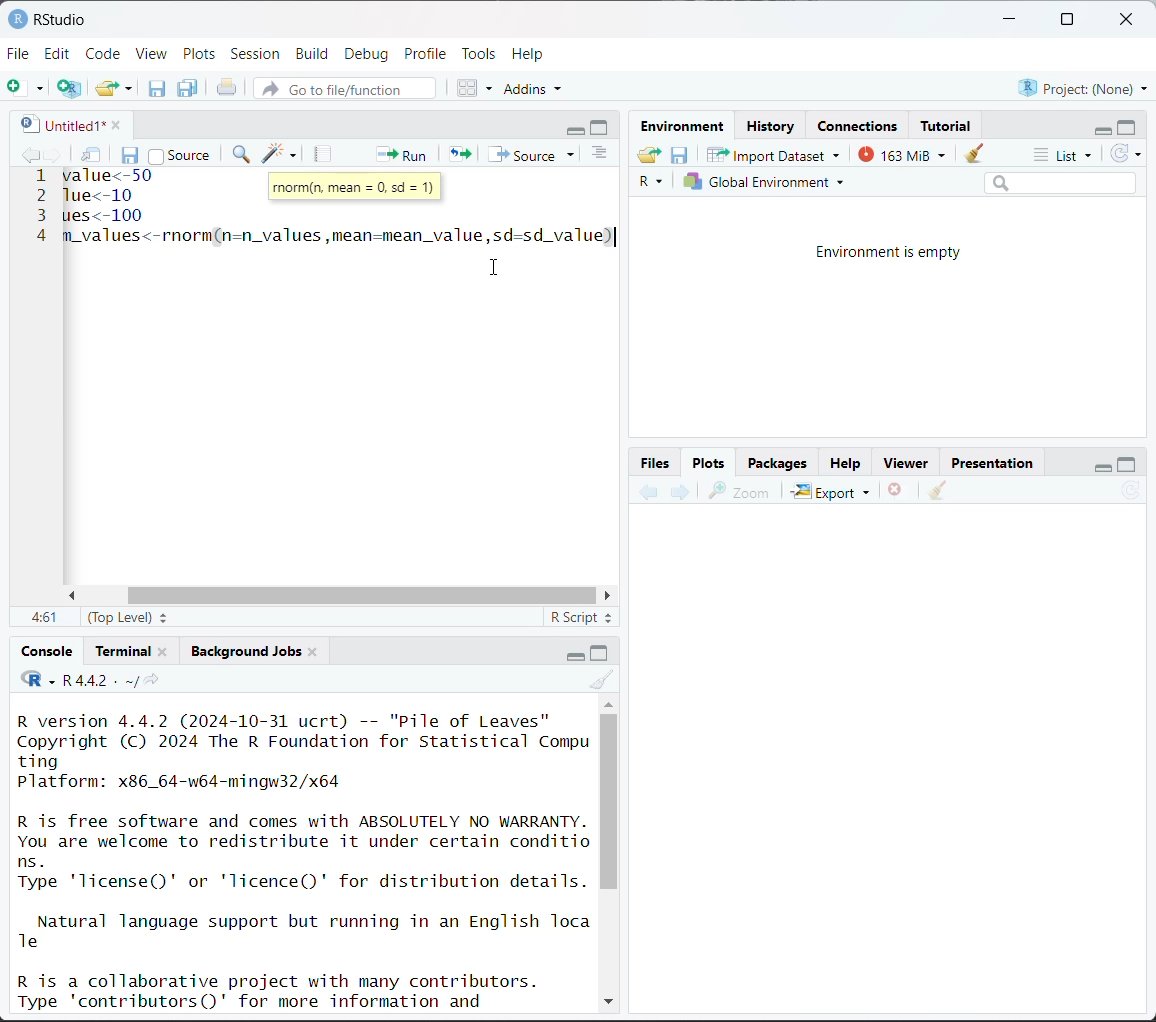 The image size is (1156, 1022). What do you see at coordinates (131, 88) in the screenshot?
I see `clear list` at bounding box center [131, 88].